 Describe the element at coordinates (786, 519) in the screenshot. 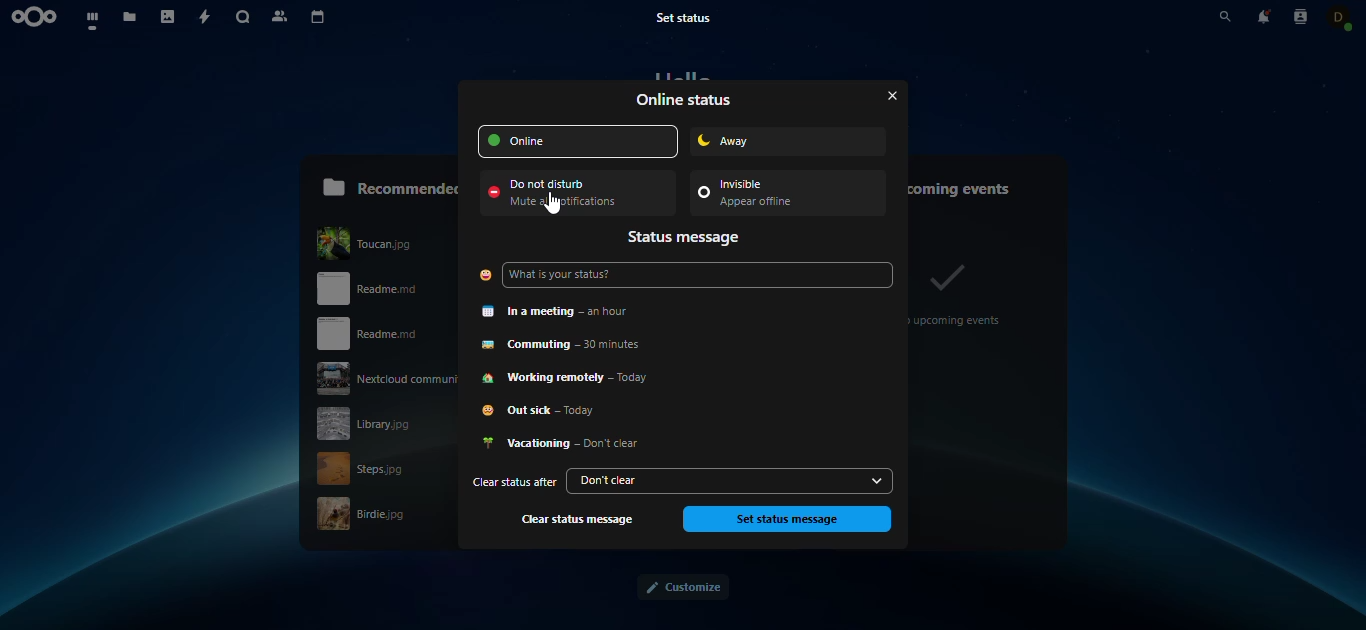

I see `set status message` at that location.